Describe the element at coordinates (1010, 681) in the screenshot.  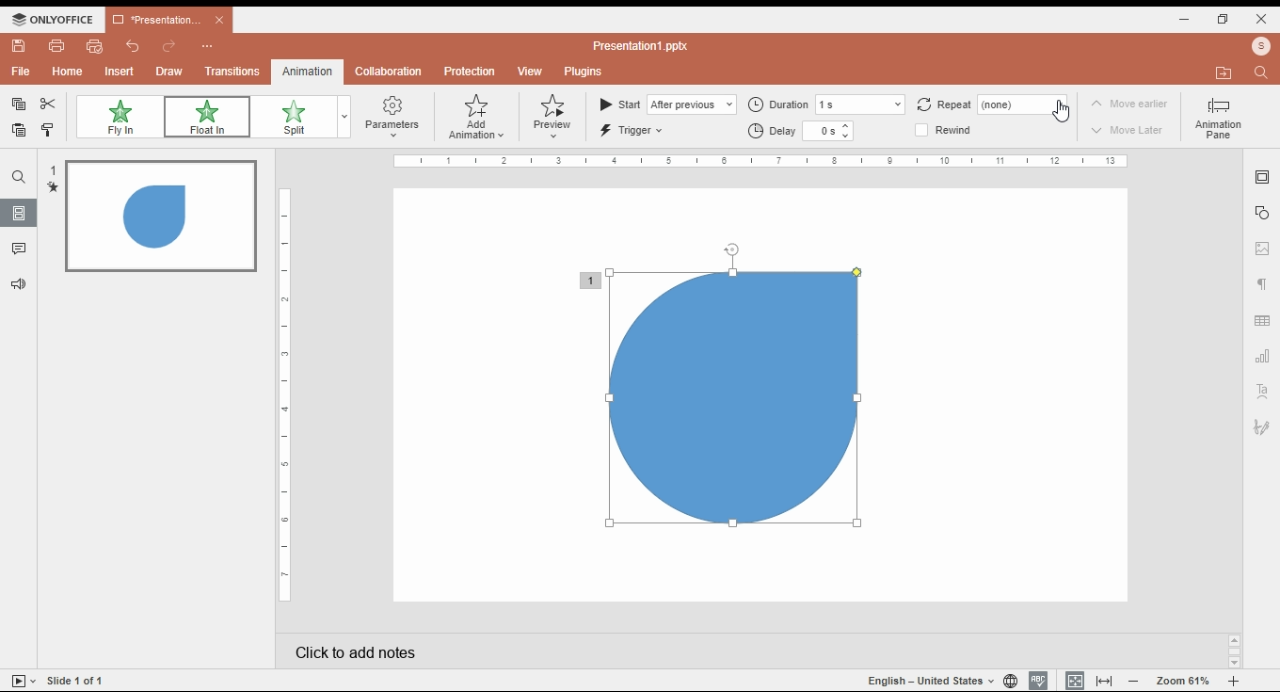
I see `set language` at that location.